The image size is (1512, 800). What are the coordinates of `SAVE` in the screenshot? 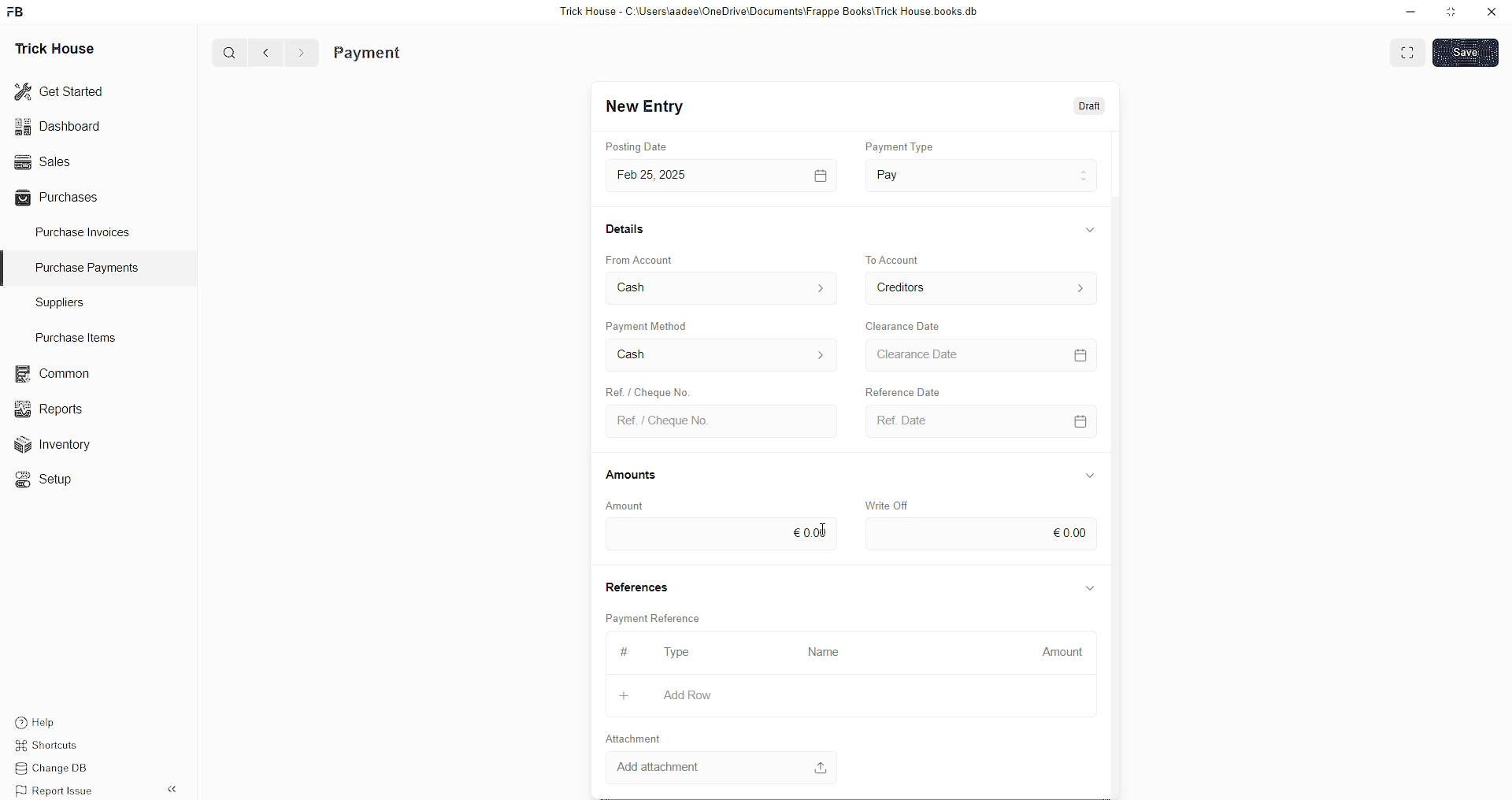 It's located at (1469, 51).